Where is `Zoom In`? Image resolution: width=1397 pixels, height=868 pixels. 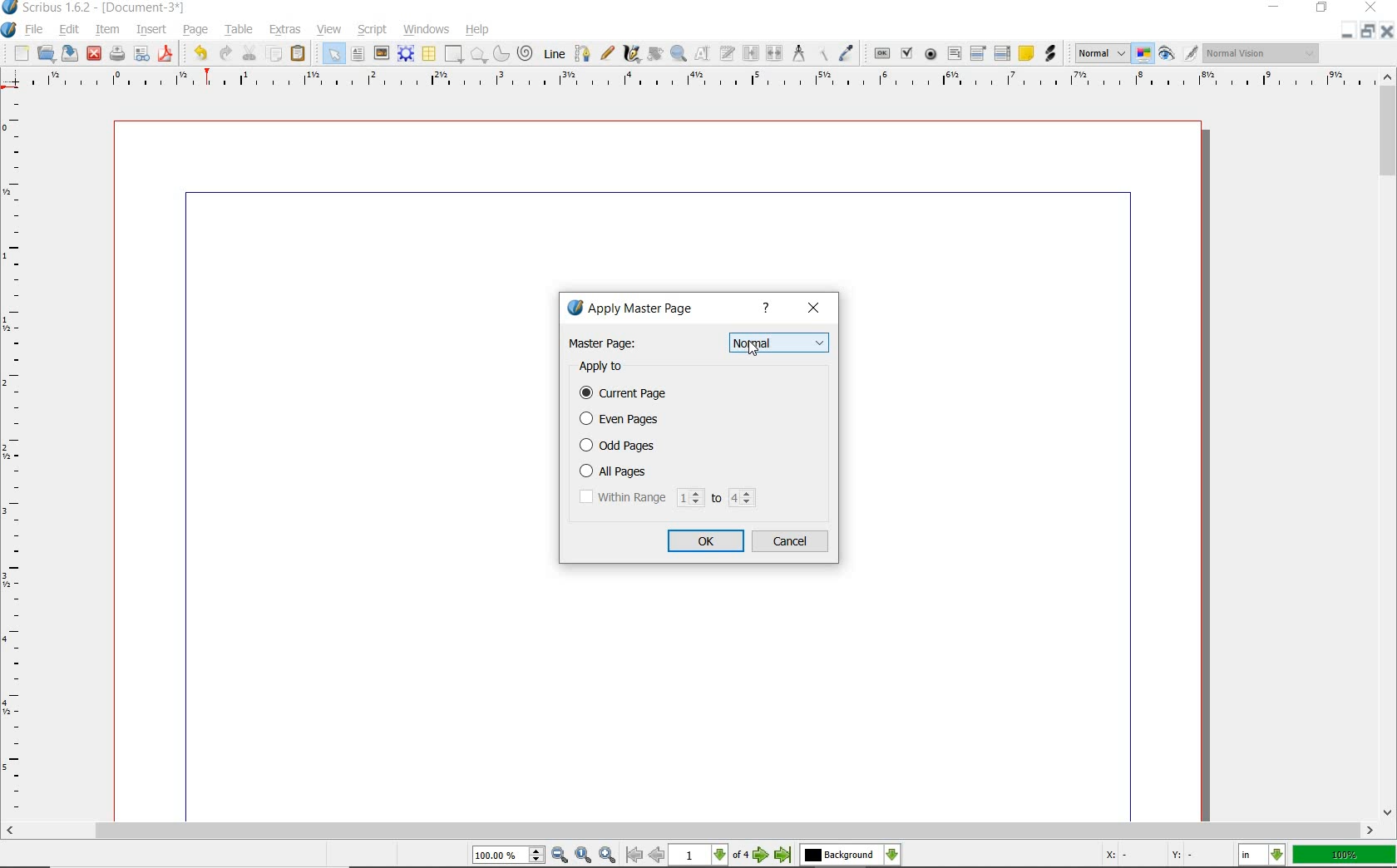 Zoom In is located at coordinates (607, 856).